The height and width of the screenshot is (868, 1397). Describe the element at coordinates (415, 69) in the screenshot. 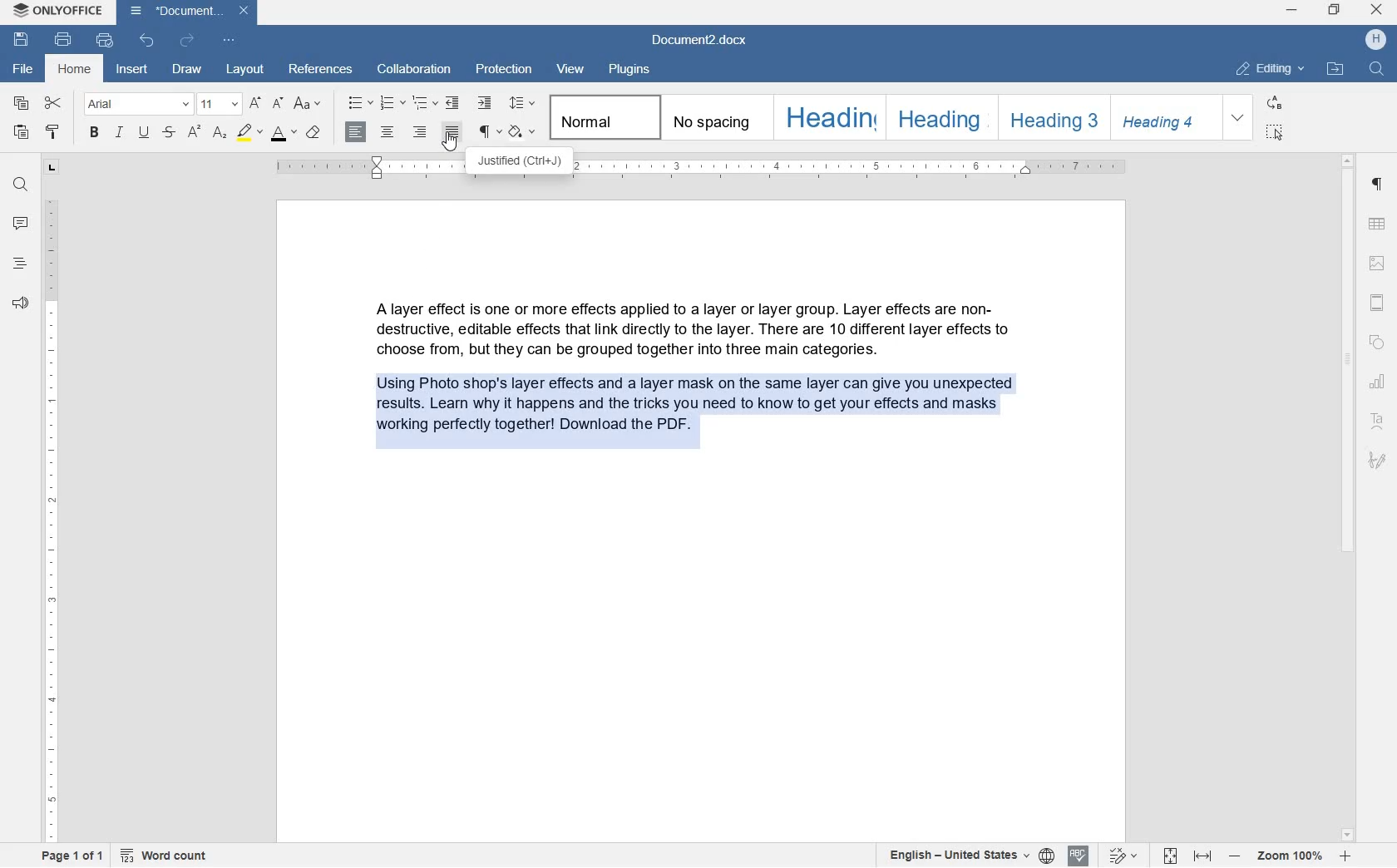

I see `COLLABORATION` at that location.